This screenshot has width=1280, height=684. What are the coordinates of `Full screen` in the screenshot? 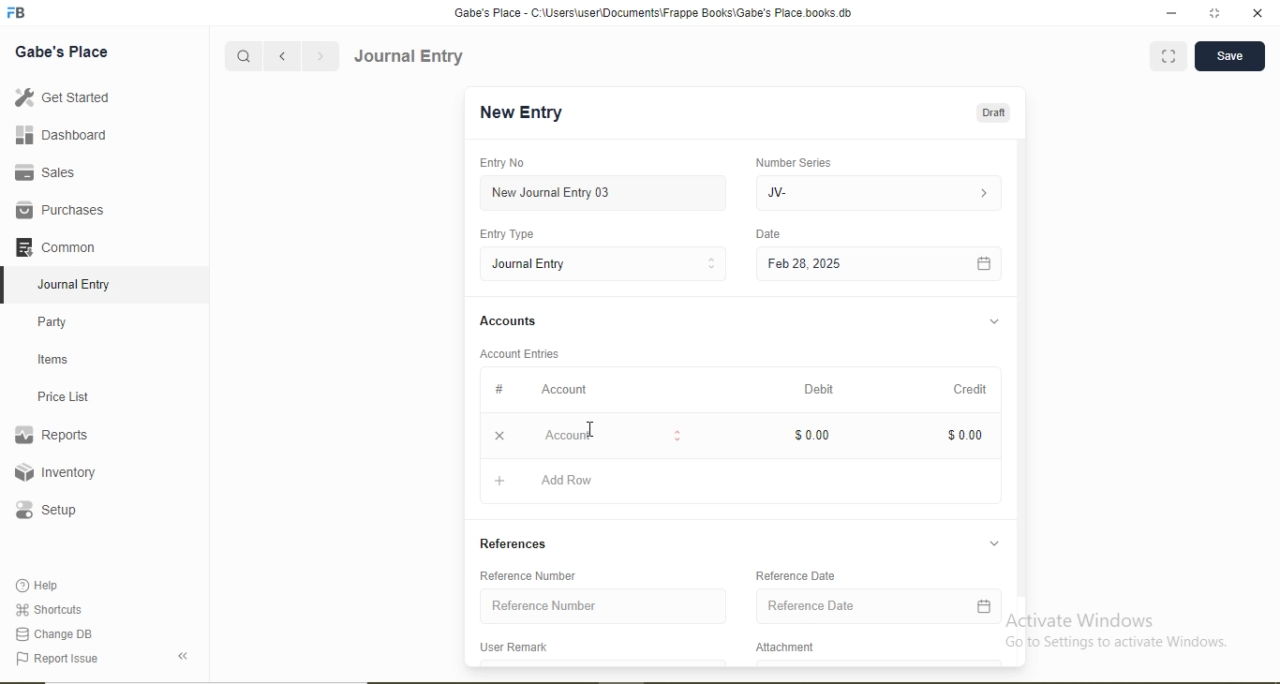 It's located at (1169, 55).